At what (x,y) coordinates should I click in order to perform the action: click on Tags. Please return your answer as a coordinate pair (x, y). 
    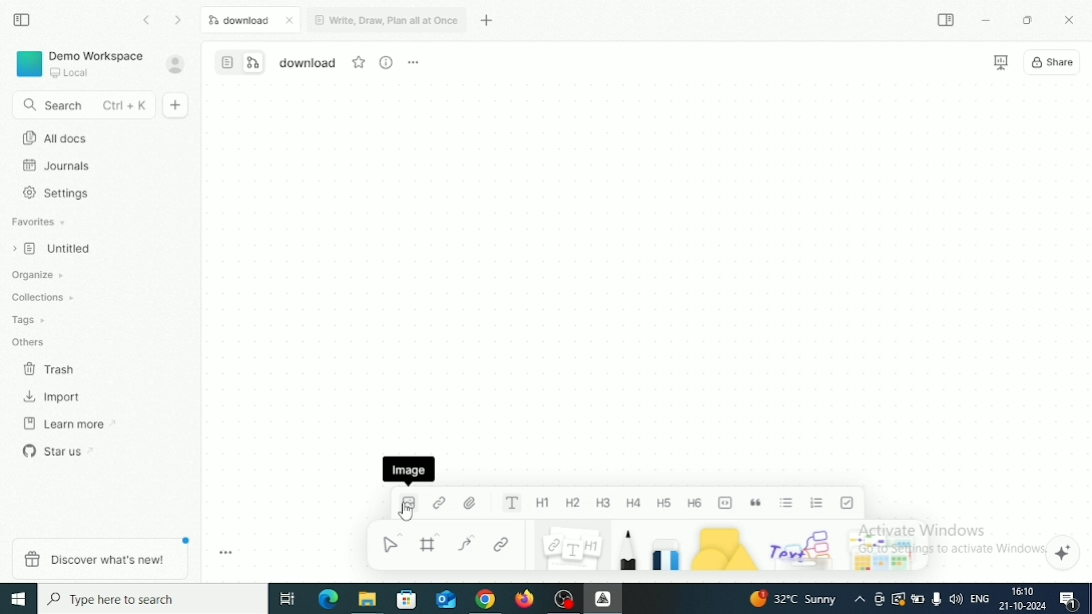
    Looking at the image, I should click on (33, 321).